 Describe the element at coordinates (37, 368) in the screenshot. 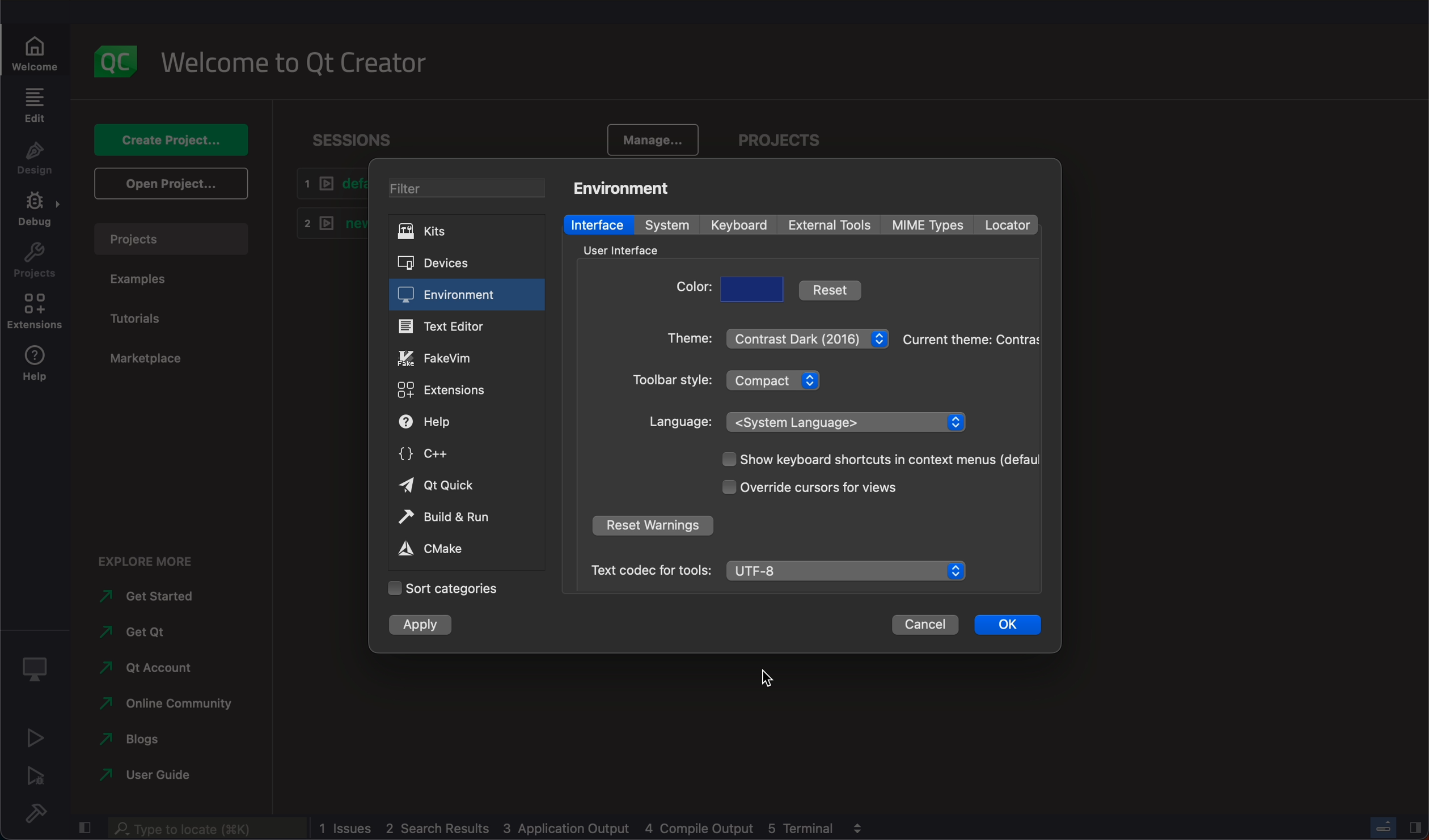

I see `help` at that location.